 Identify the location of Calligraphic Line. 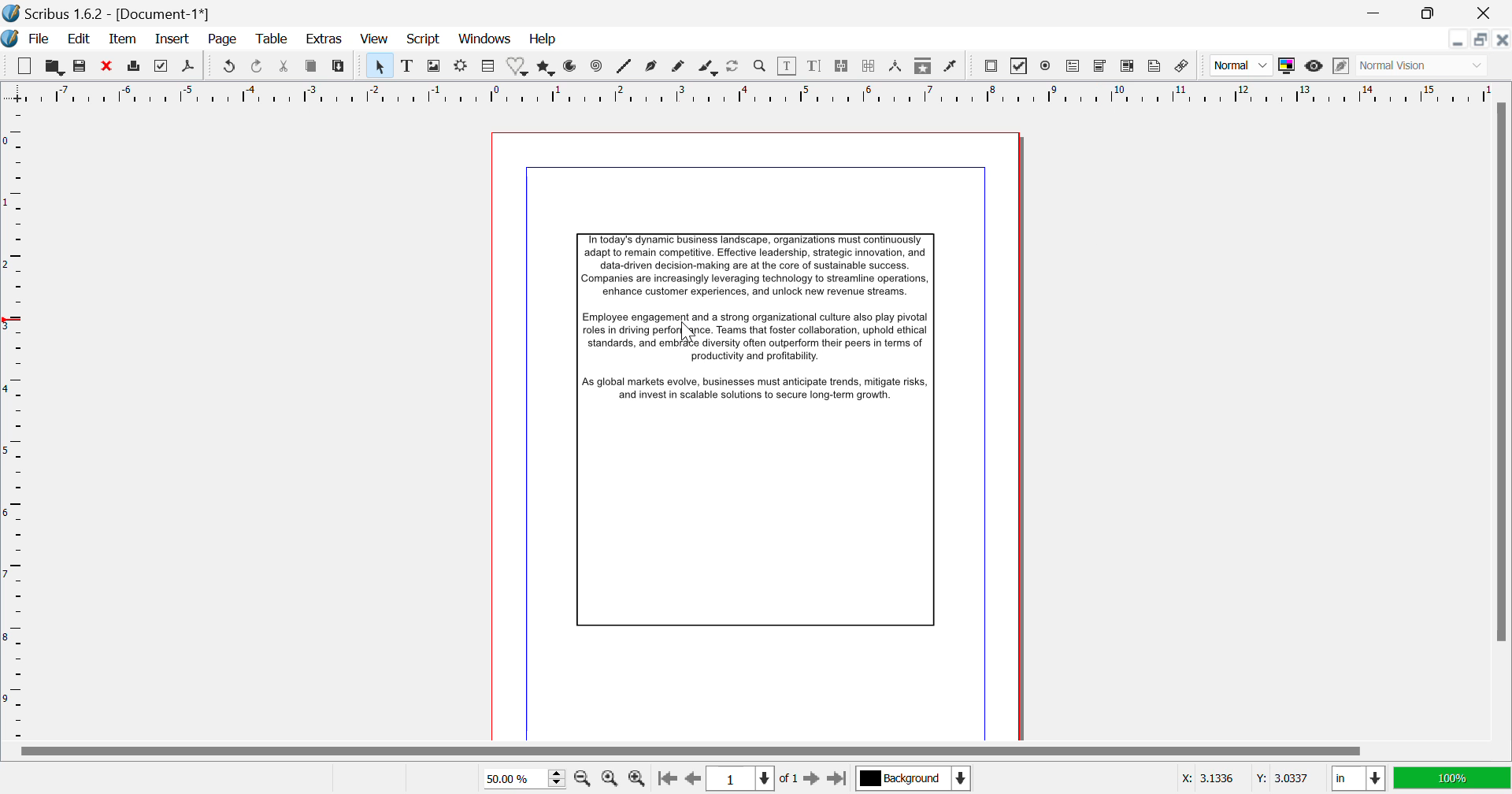
(710, 68).